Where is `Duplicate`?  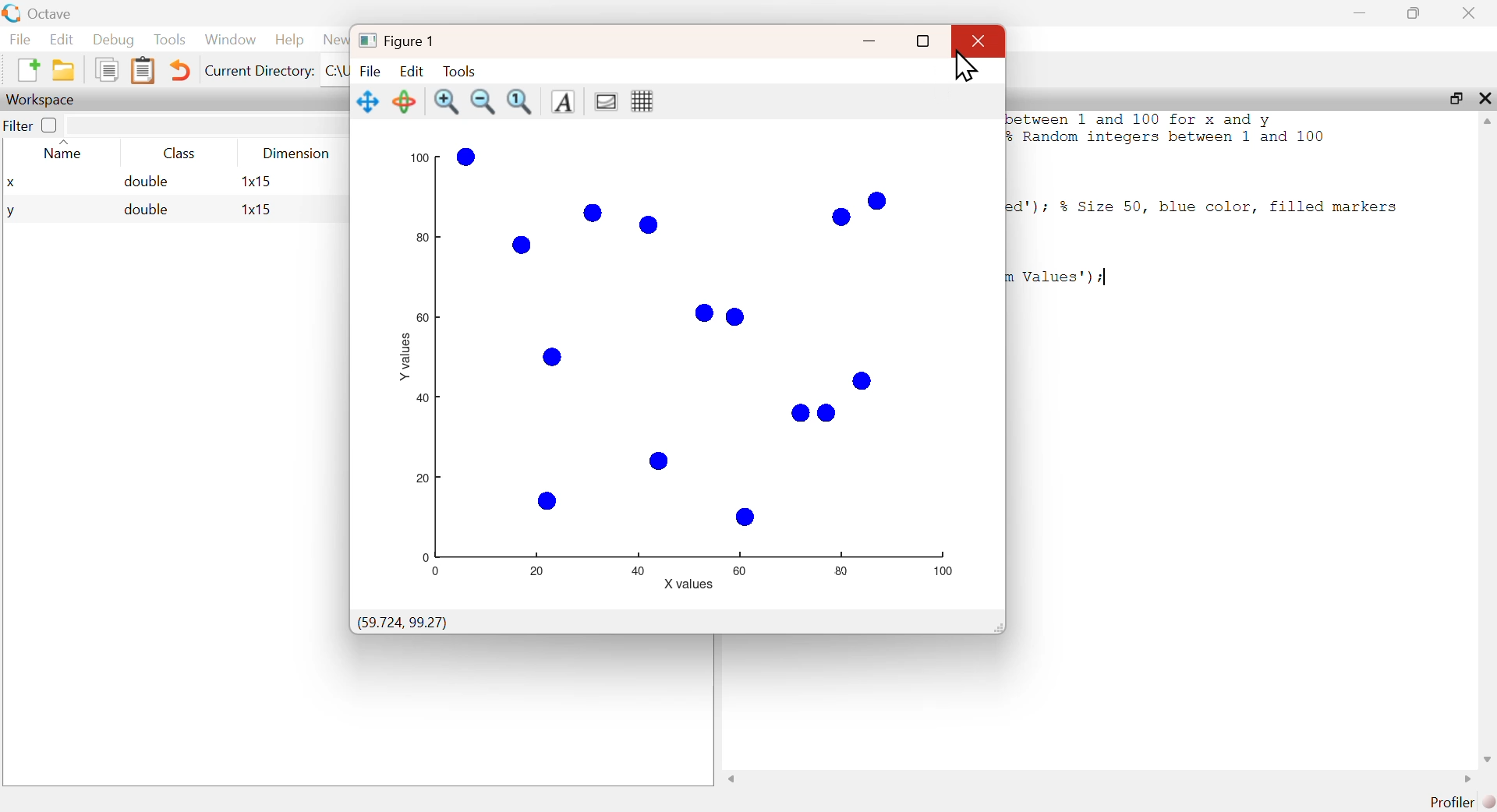
Duplicate is located at coordinates (105, 69).